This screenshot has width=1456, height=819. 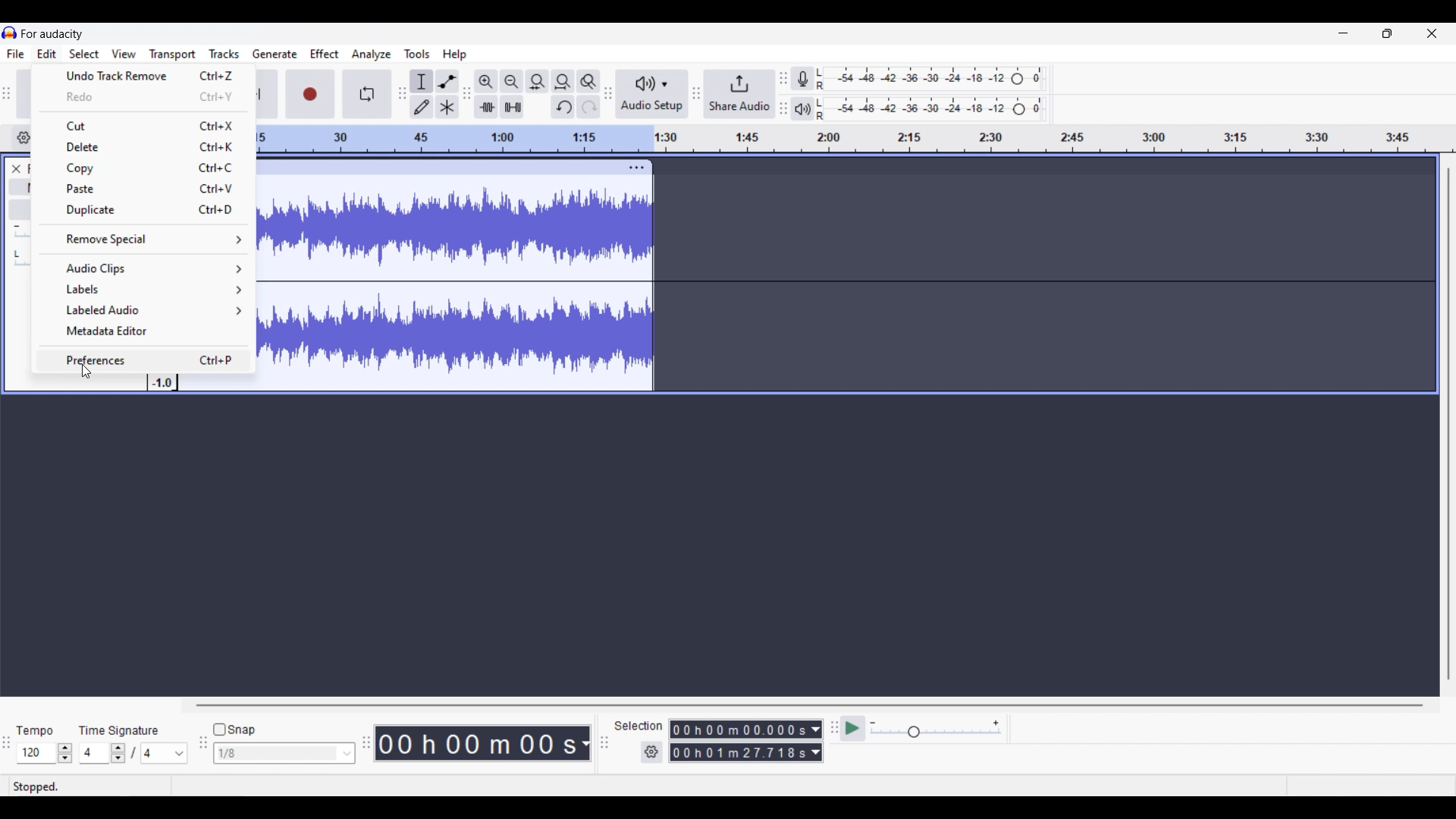 I want to click on Transport menu, so click(x=172, y=55).